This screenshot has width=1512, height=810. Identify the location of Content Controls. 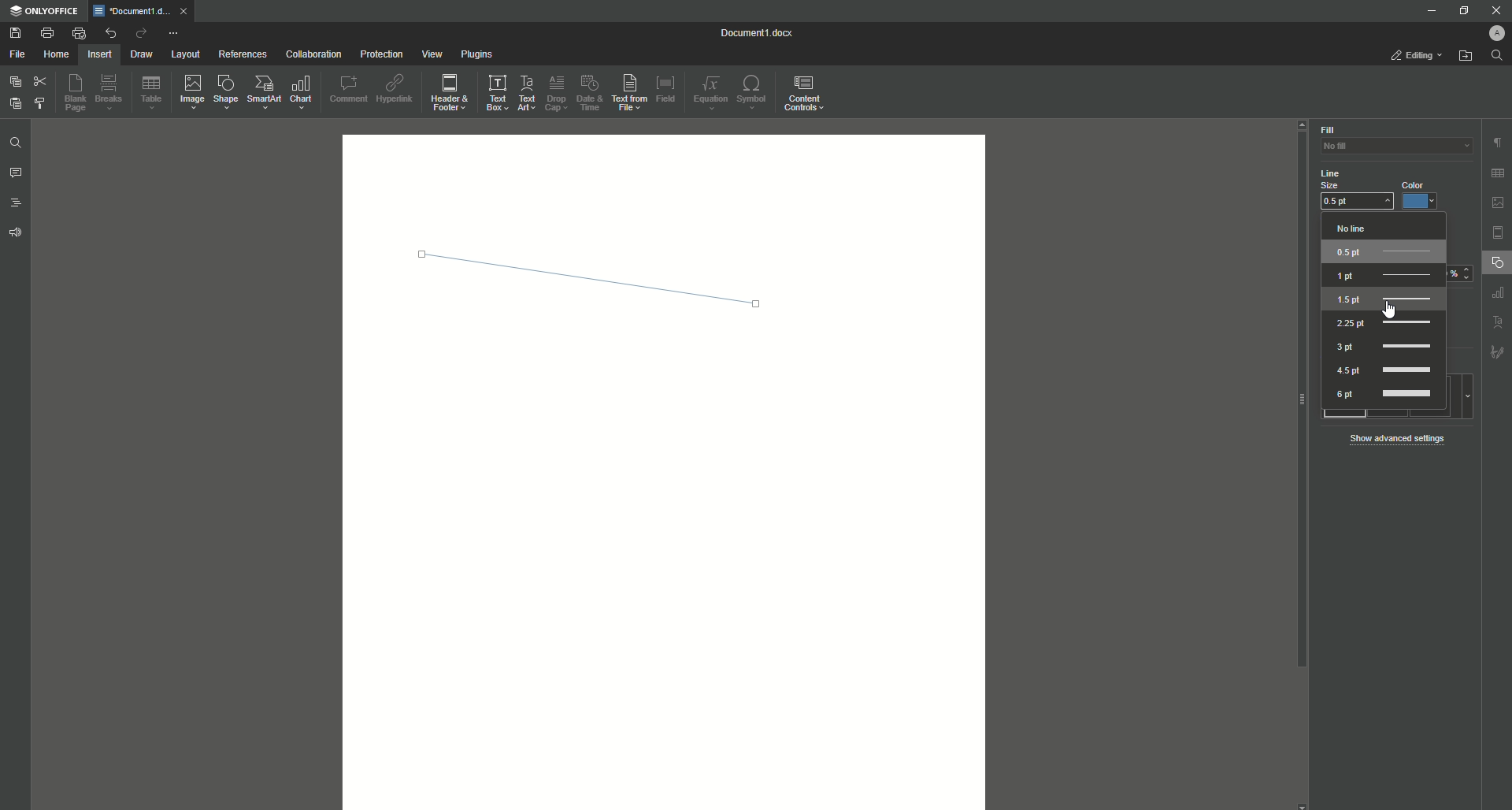
(804, 94).